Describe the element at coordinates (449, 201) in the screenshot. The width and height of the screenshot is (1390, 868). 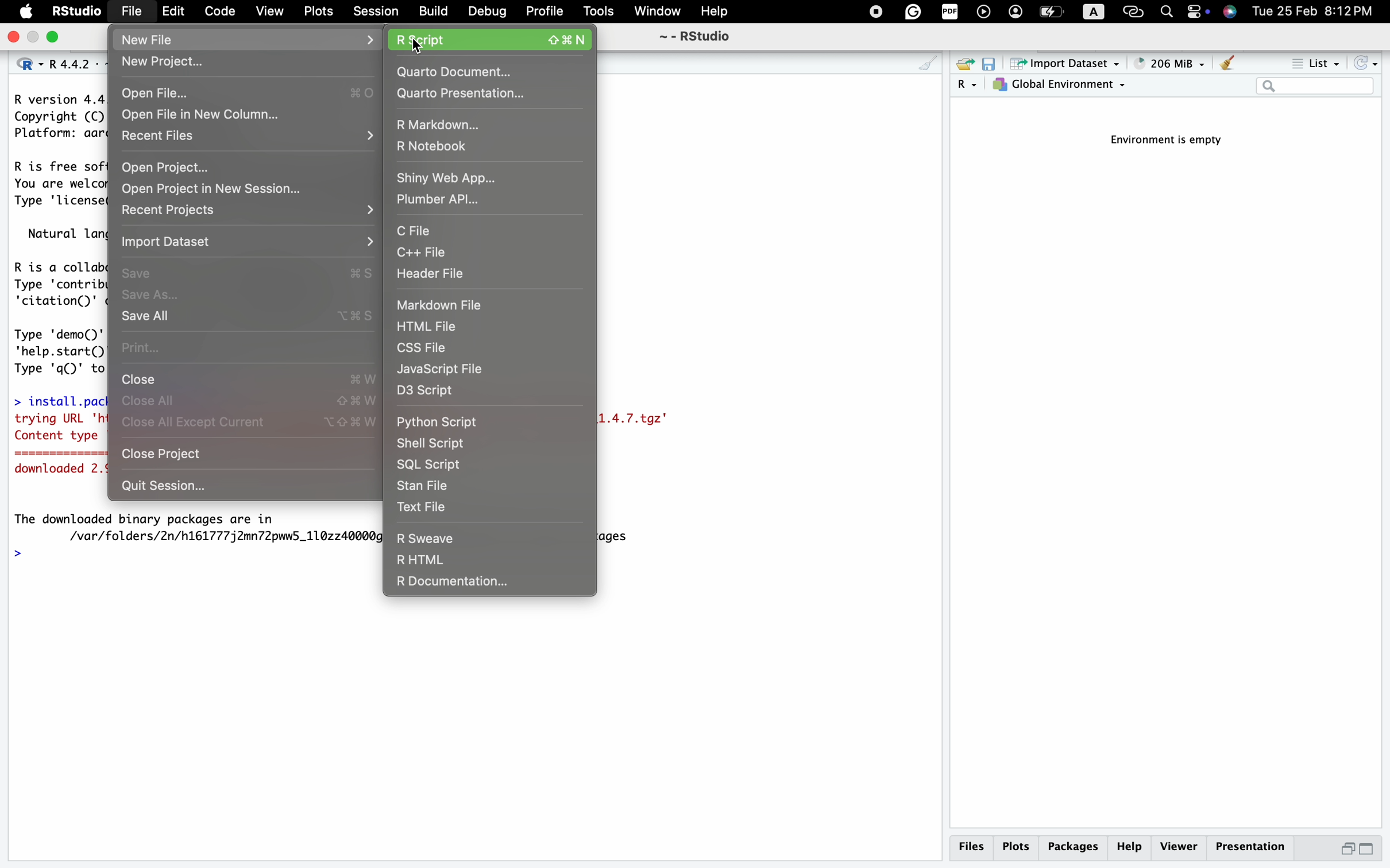
I see `plumber API...` at that location.